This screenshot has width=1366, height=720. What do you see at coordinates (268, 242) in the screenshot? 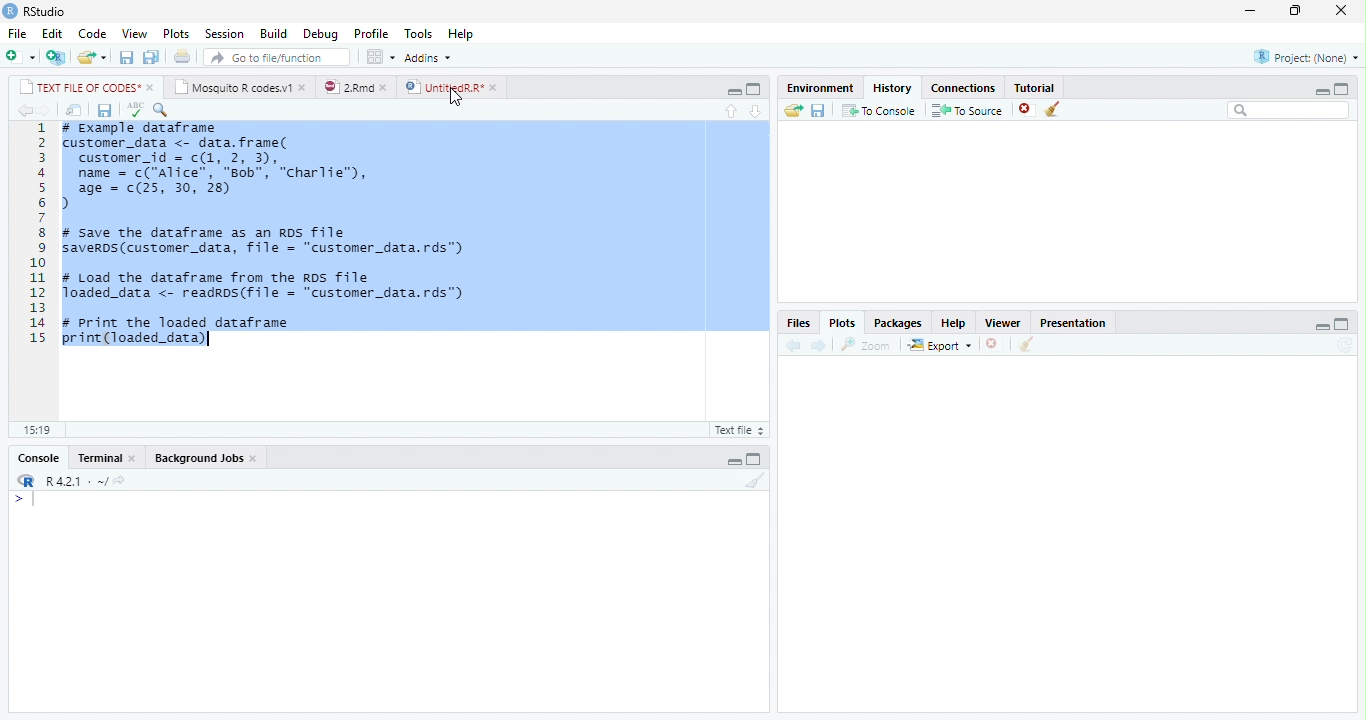
I see `# Save the dataframe as an RDS file
saverDs(customer_data, file = "customer_data.rds")` at bounding box center [268, 242].